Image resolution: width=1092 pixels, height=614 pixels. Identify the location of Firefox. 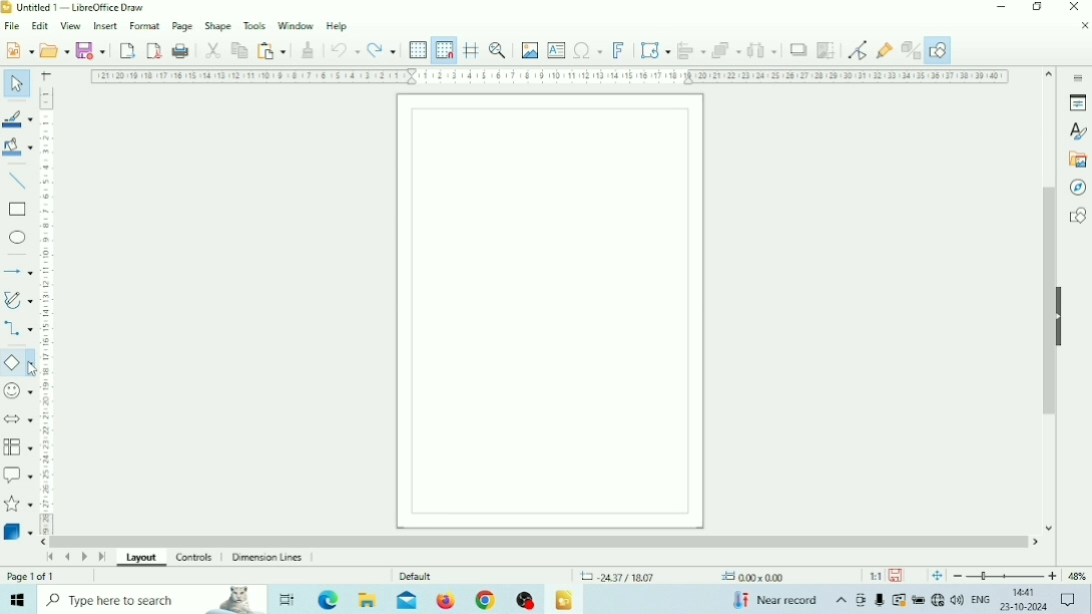
(446, 600).